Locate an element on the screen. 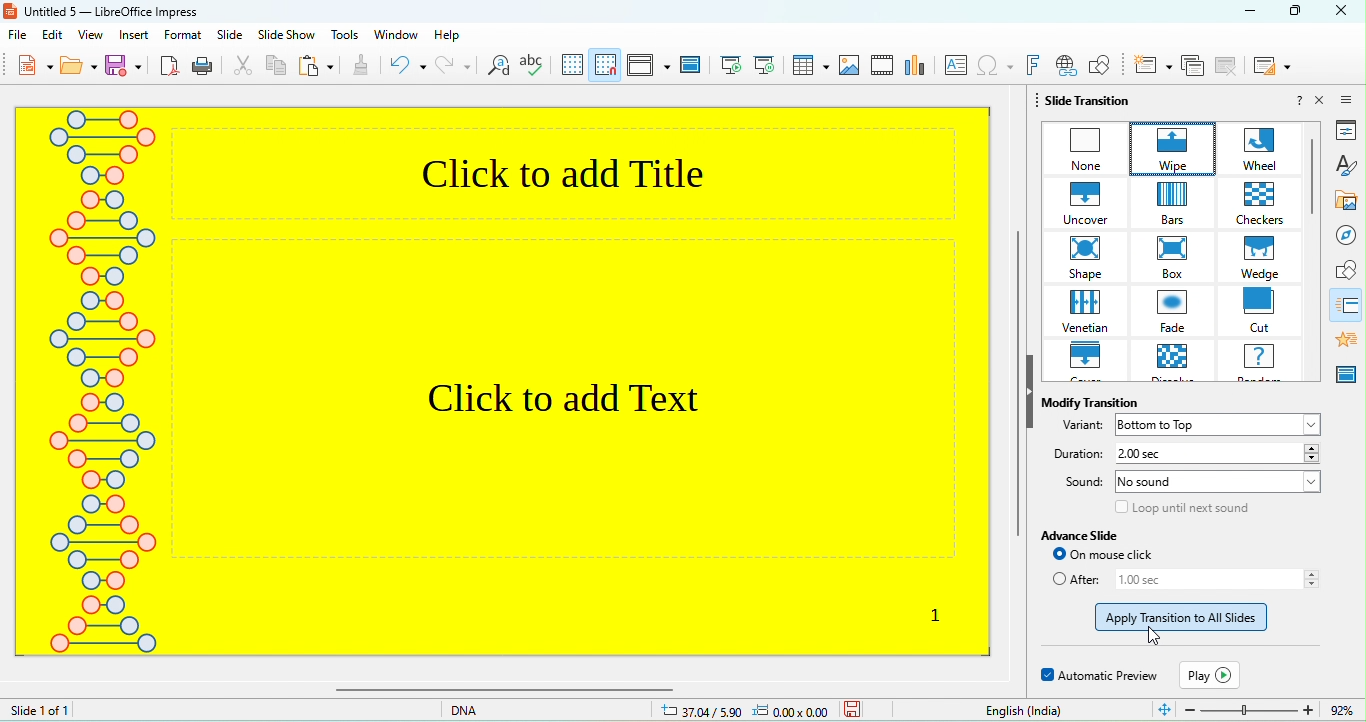 The width and height of the screenshot is (1366, 722). DNA theme on slide is located at coordinates (99, 397).